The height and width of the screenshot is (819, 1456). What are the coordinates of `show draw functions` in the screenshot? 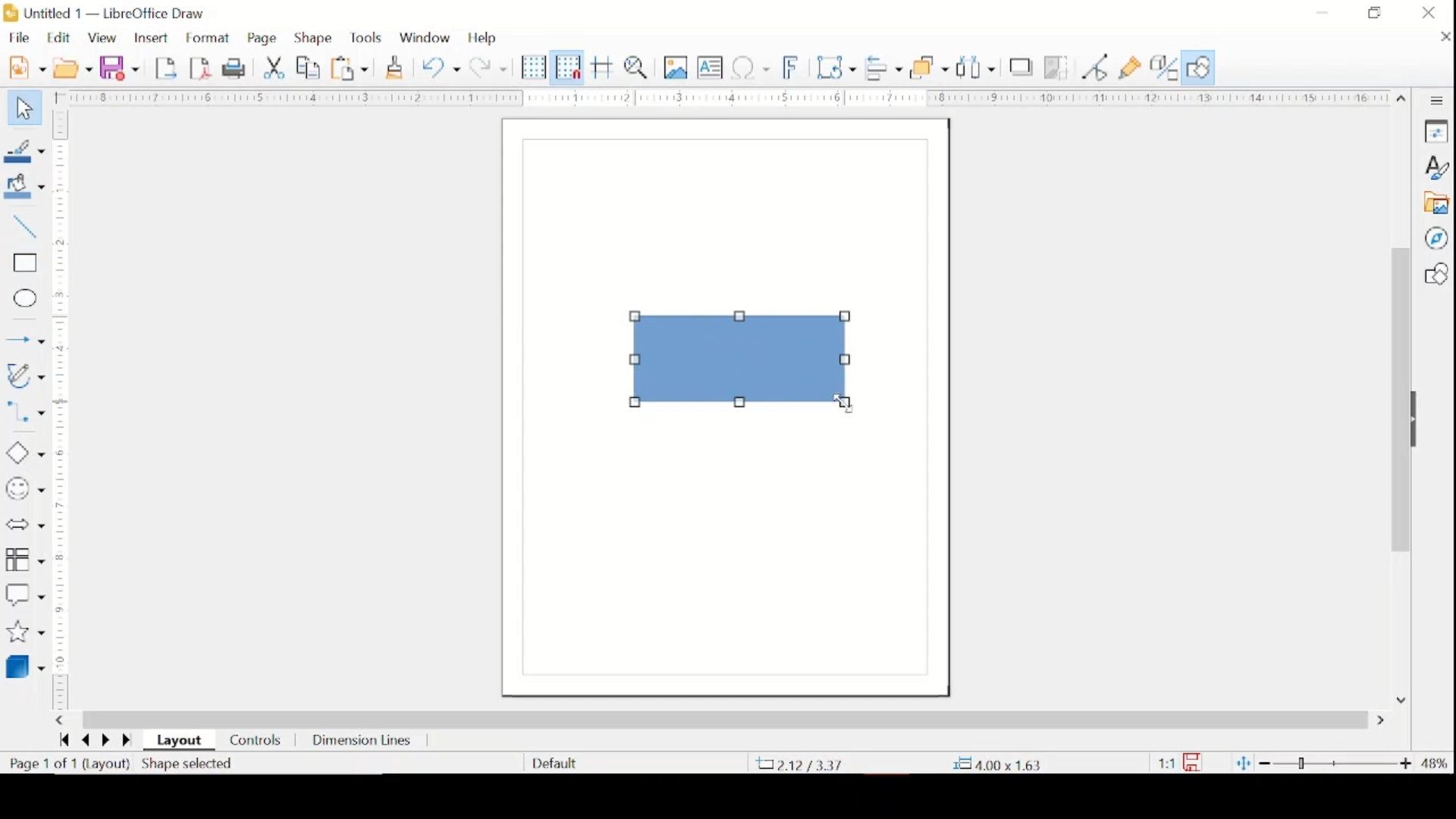 It's located at (1131, 68).